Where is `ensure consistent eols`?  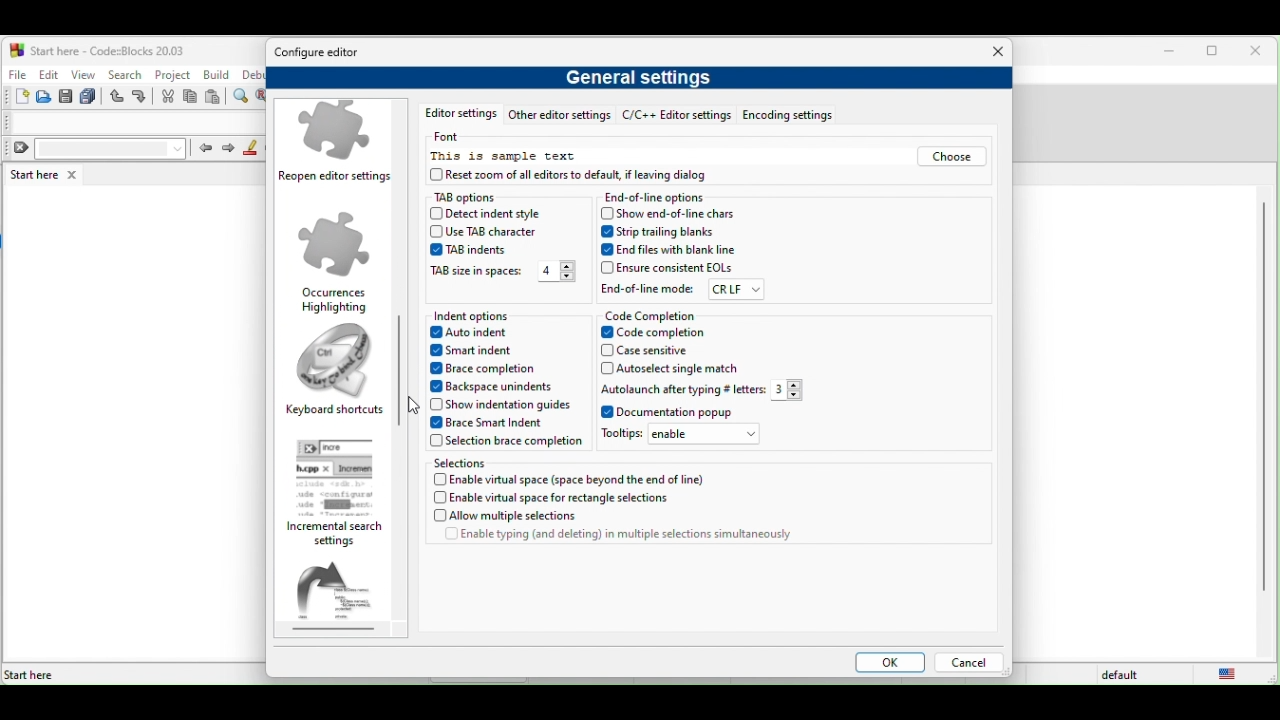 ensure consistent eols is located at coordinates (667, 268).